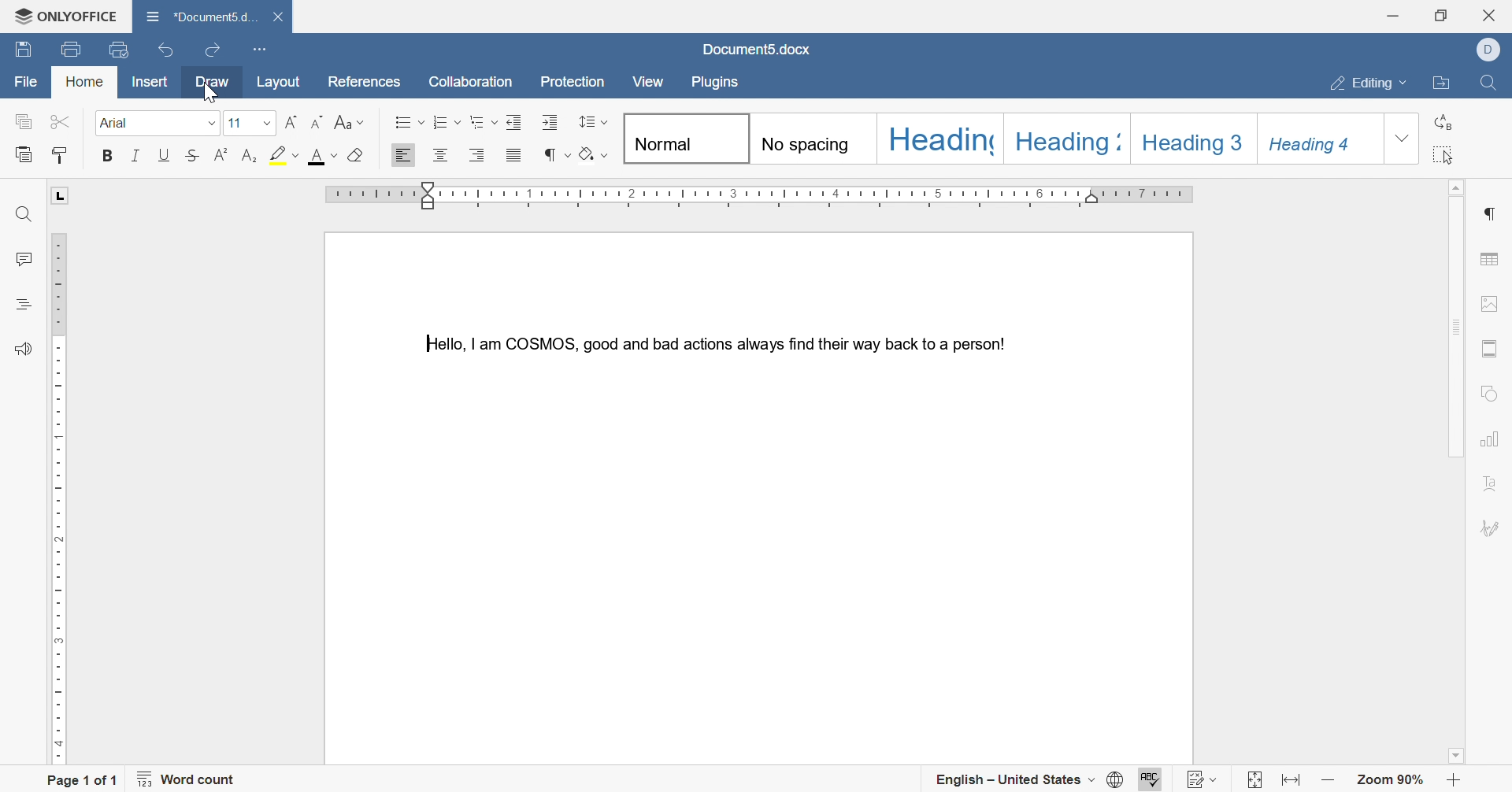 This screenshot has width=1512, height=792. I want to click on bullets, so click(406, 121).